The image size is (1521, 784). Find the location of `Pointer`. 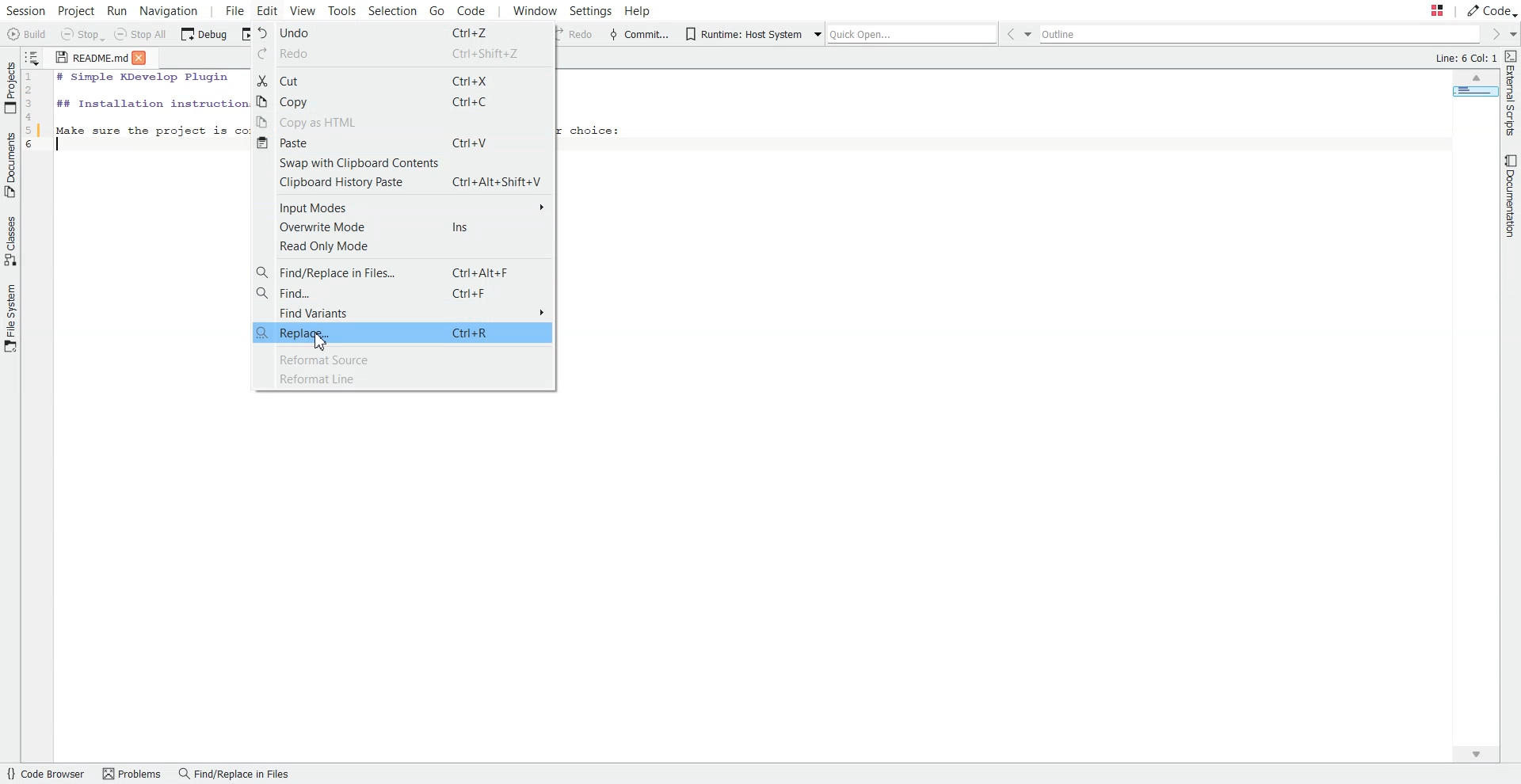

Pointer is located at coordinates (320, 342).